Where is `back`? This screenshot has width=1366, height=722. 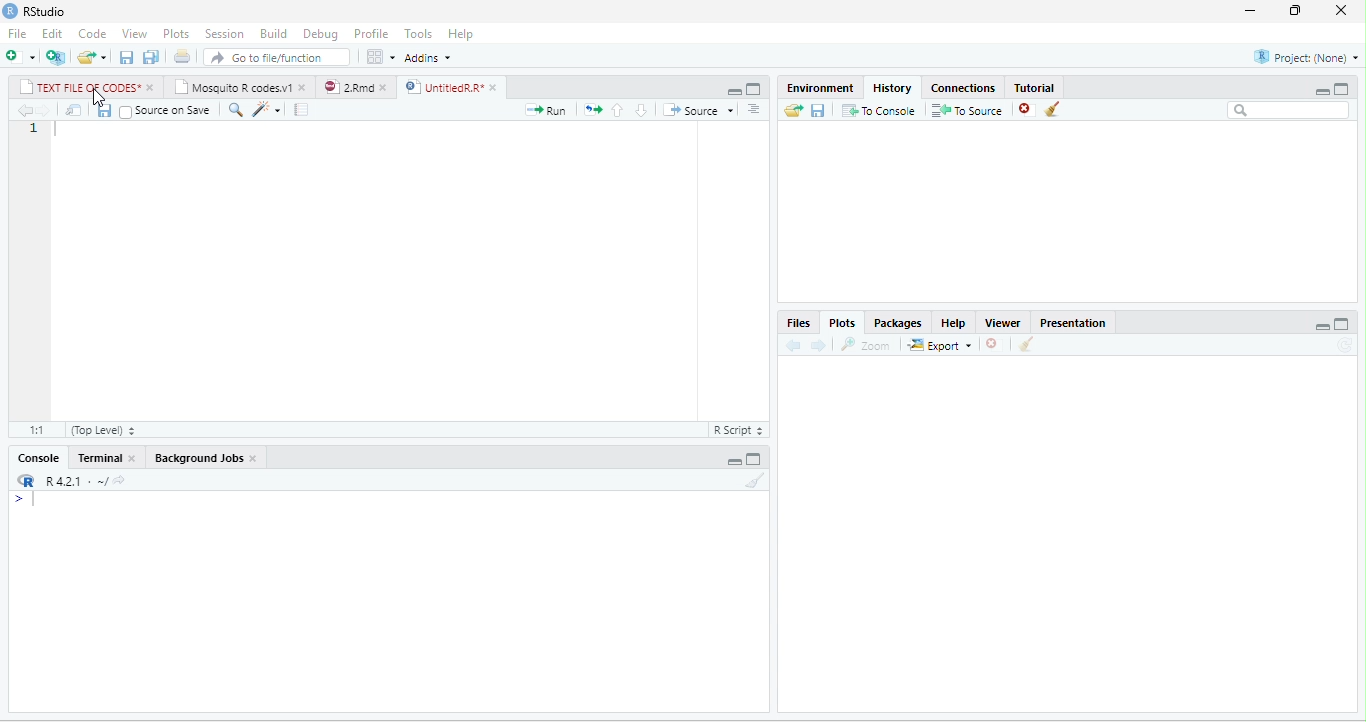 back is located at coordinates (794, 346).